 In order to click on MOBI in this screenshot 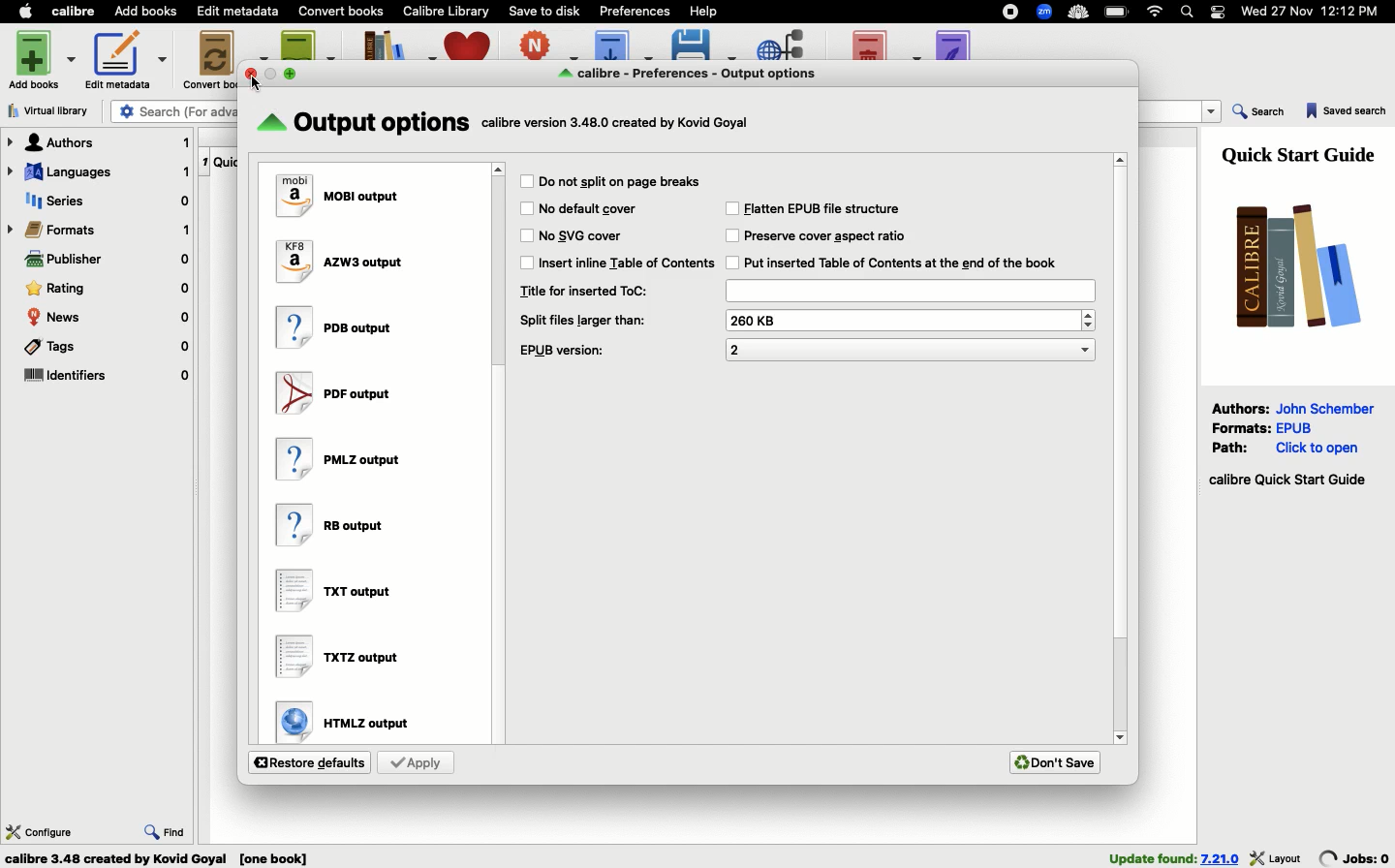, I will do `click(338, 195)`.